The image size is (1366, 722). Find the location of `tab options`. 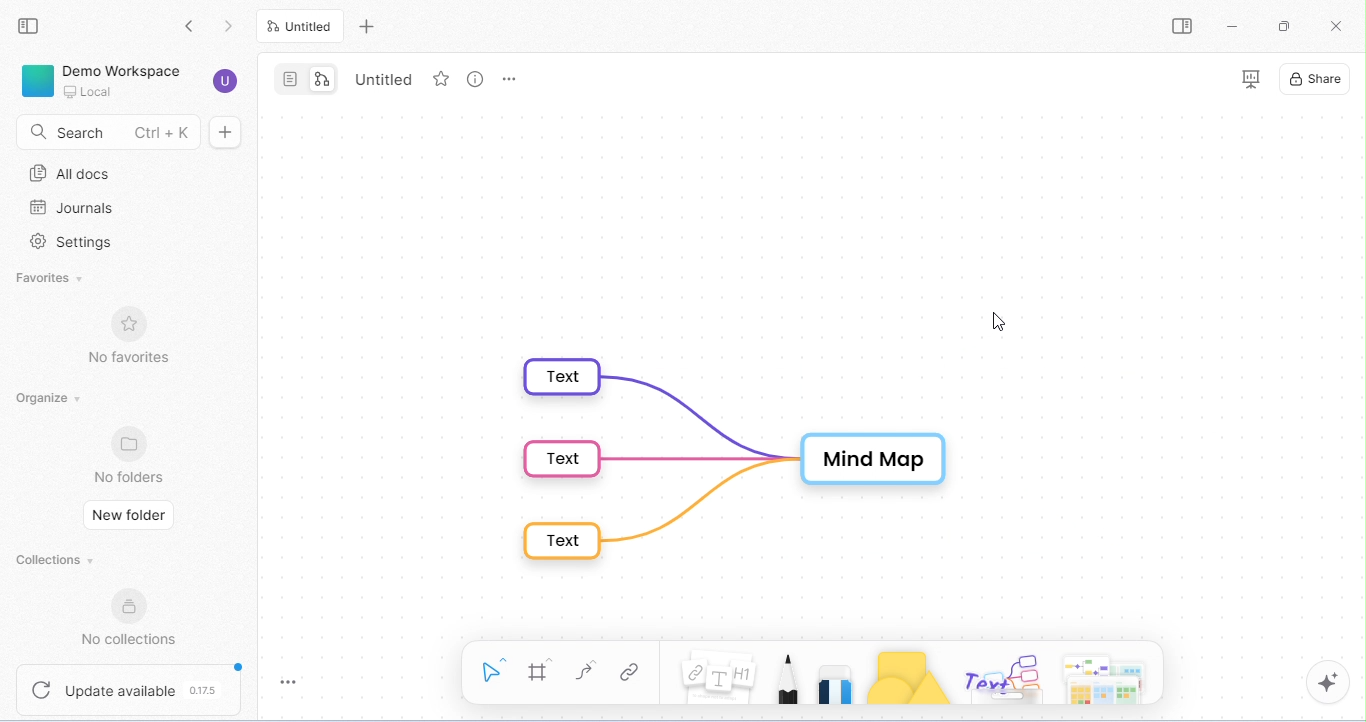

tab options is located at coordinates (512, 82).